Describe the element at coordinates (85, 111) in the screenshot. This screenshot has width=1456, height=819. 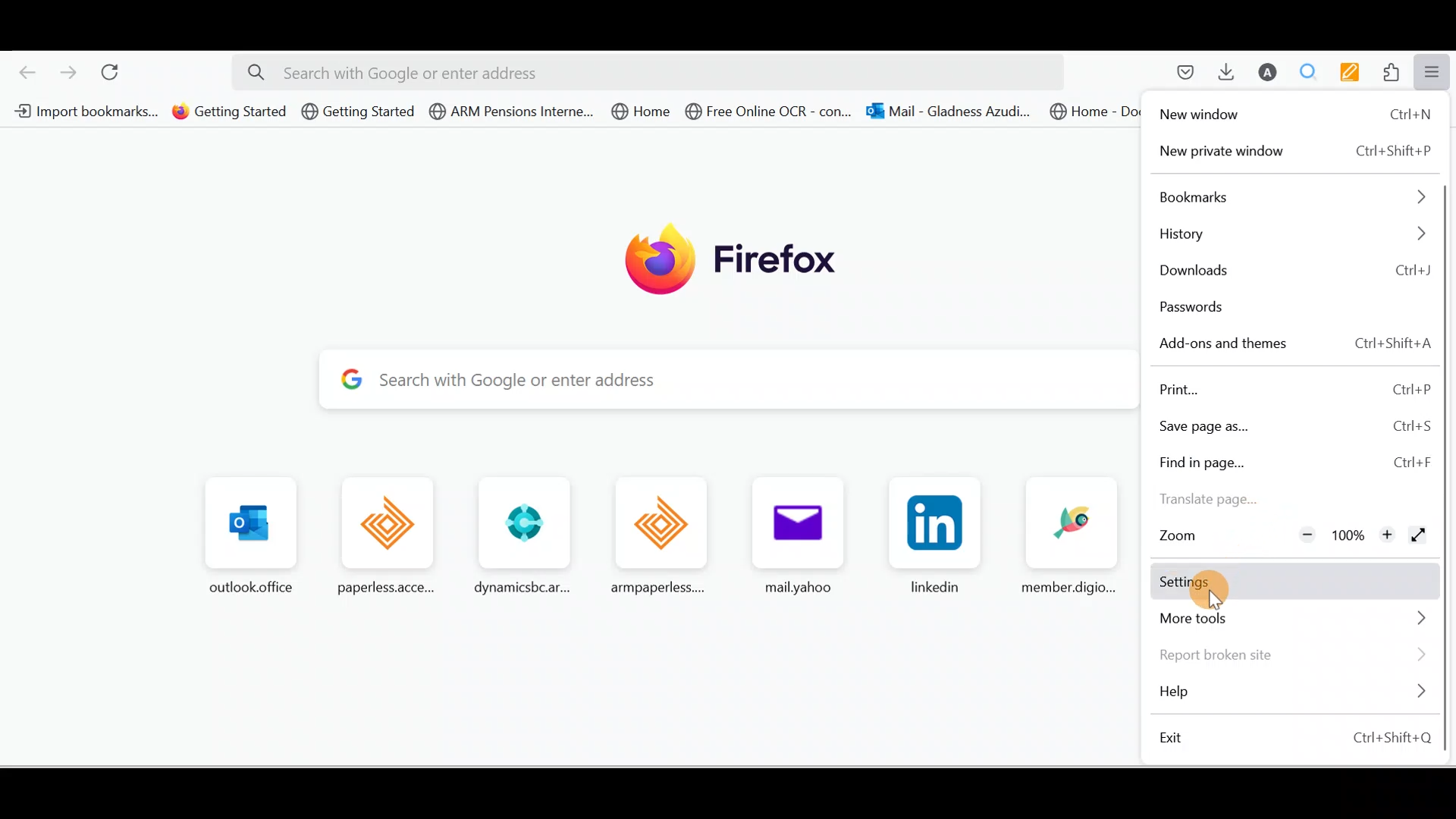
I see `Bookmark 1` at that location.